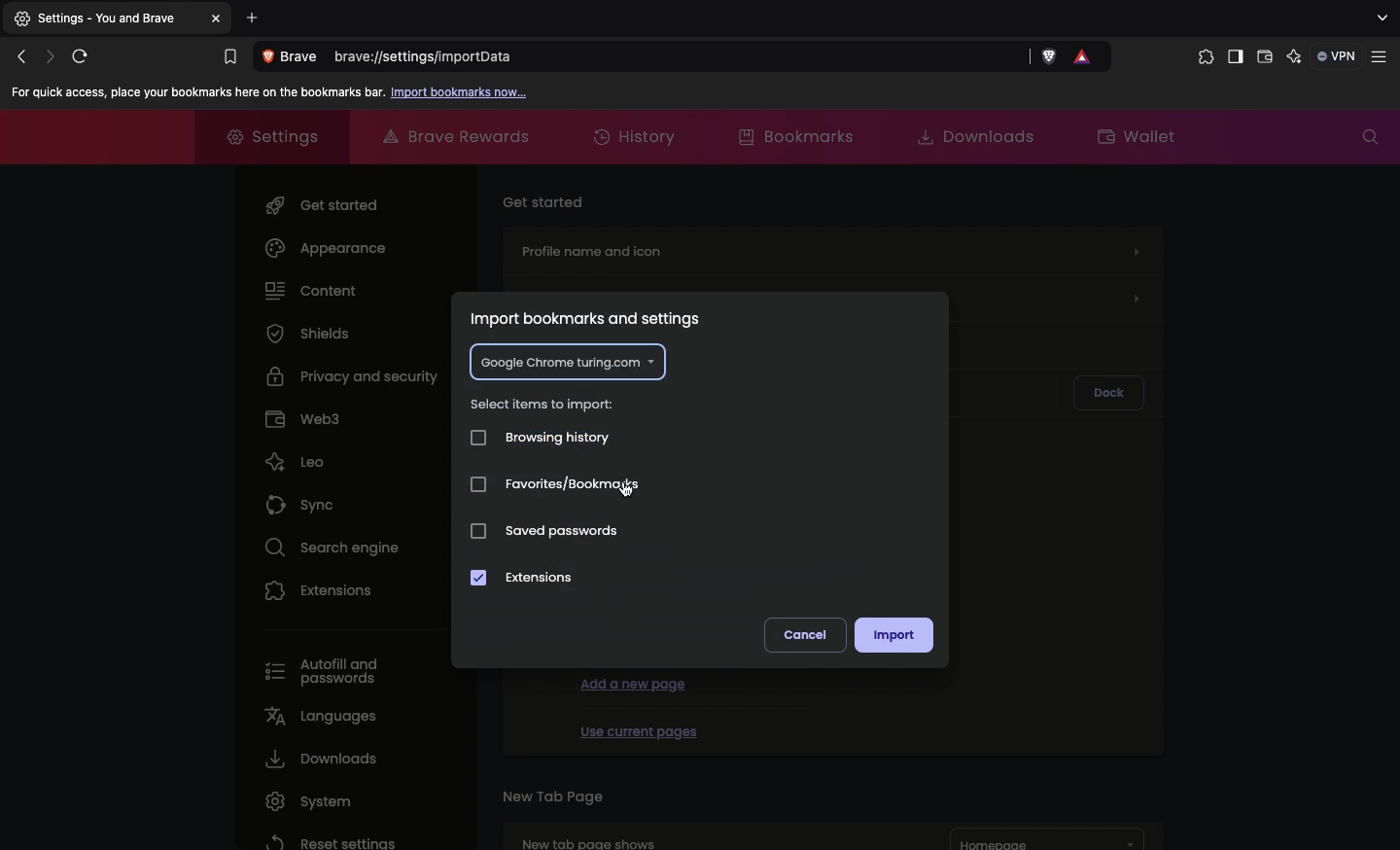 The height and width of the screenshot is (850, 1400). What do you see at coordinates (1294, 57) in the screenshot?
I see `leo AI` at bounding box center [1294, 57].